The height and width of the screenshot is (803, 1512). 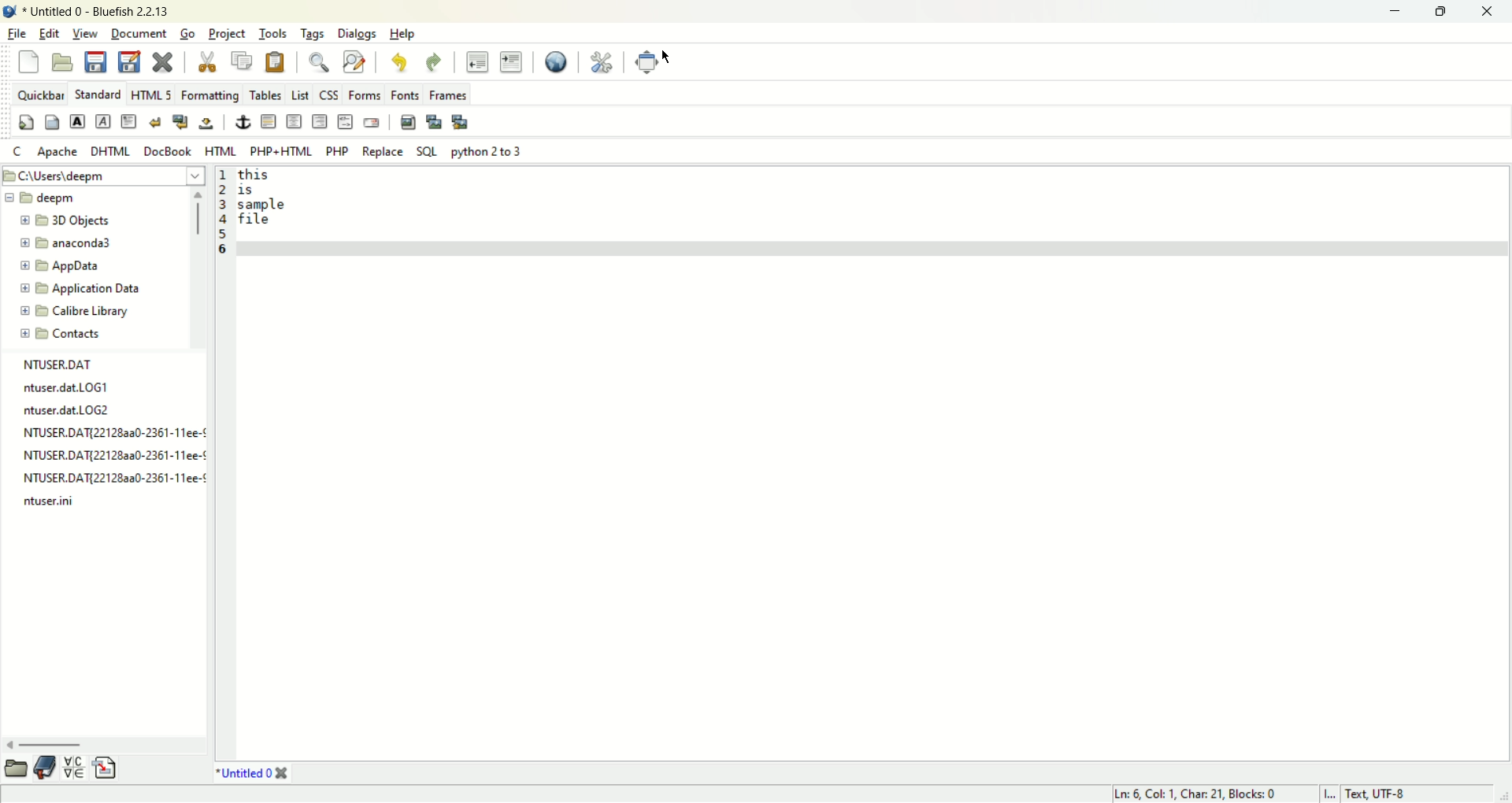 What do you see at coordinates (1491, 13) in the screenshot?
I see `close` at bounding box center [1491, 13].